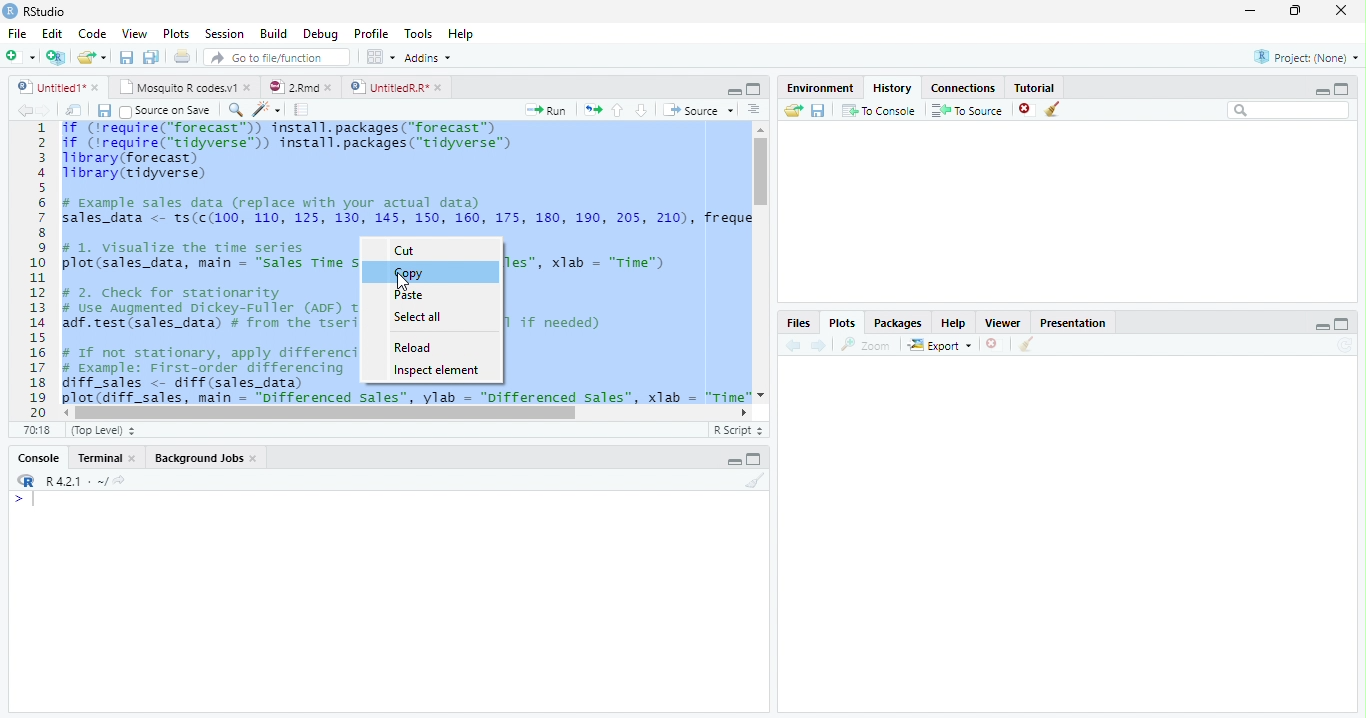 The height and width of the screenshot is (718, 1366). What do you see at coordinates (642, 111) in the screenshot?
I see `Down` at bounding box center [642, 111].